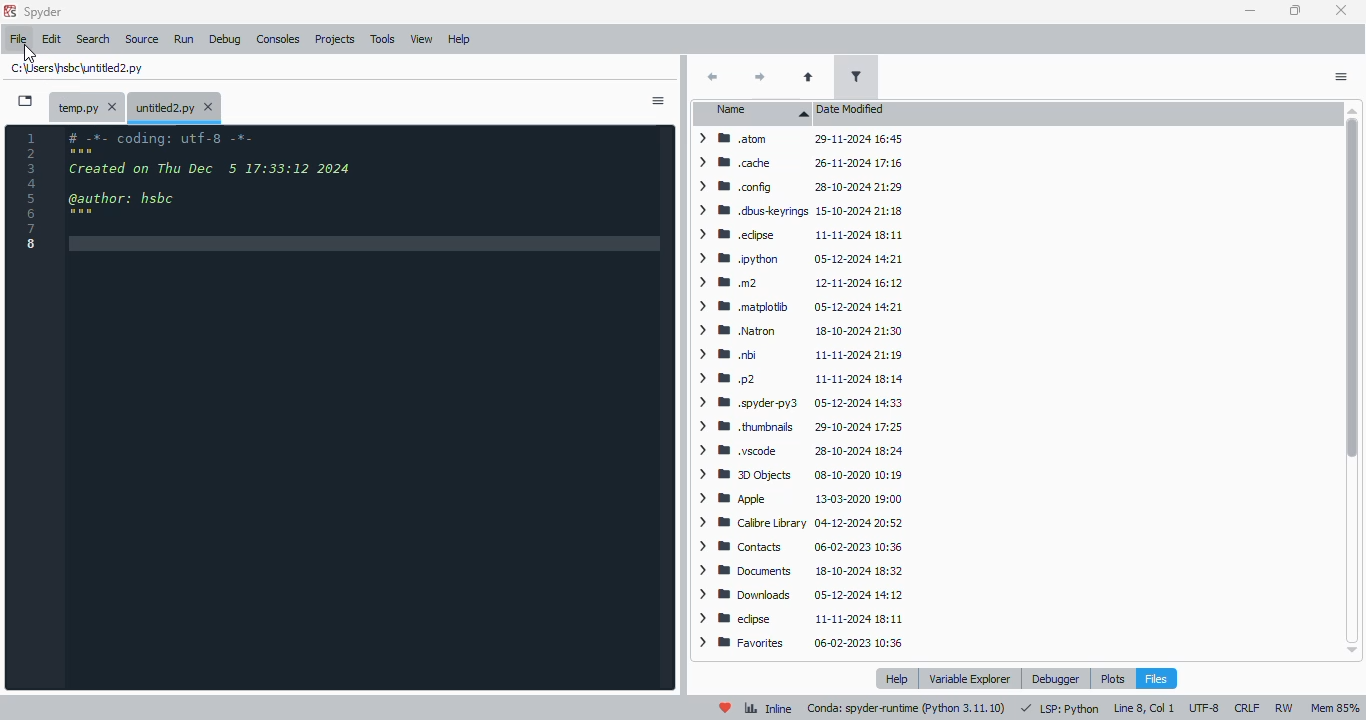  Describe the element at coordinates (800, 258) in the screenshot. I see `> WM python 05-12-2024 14:21` at that location.